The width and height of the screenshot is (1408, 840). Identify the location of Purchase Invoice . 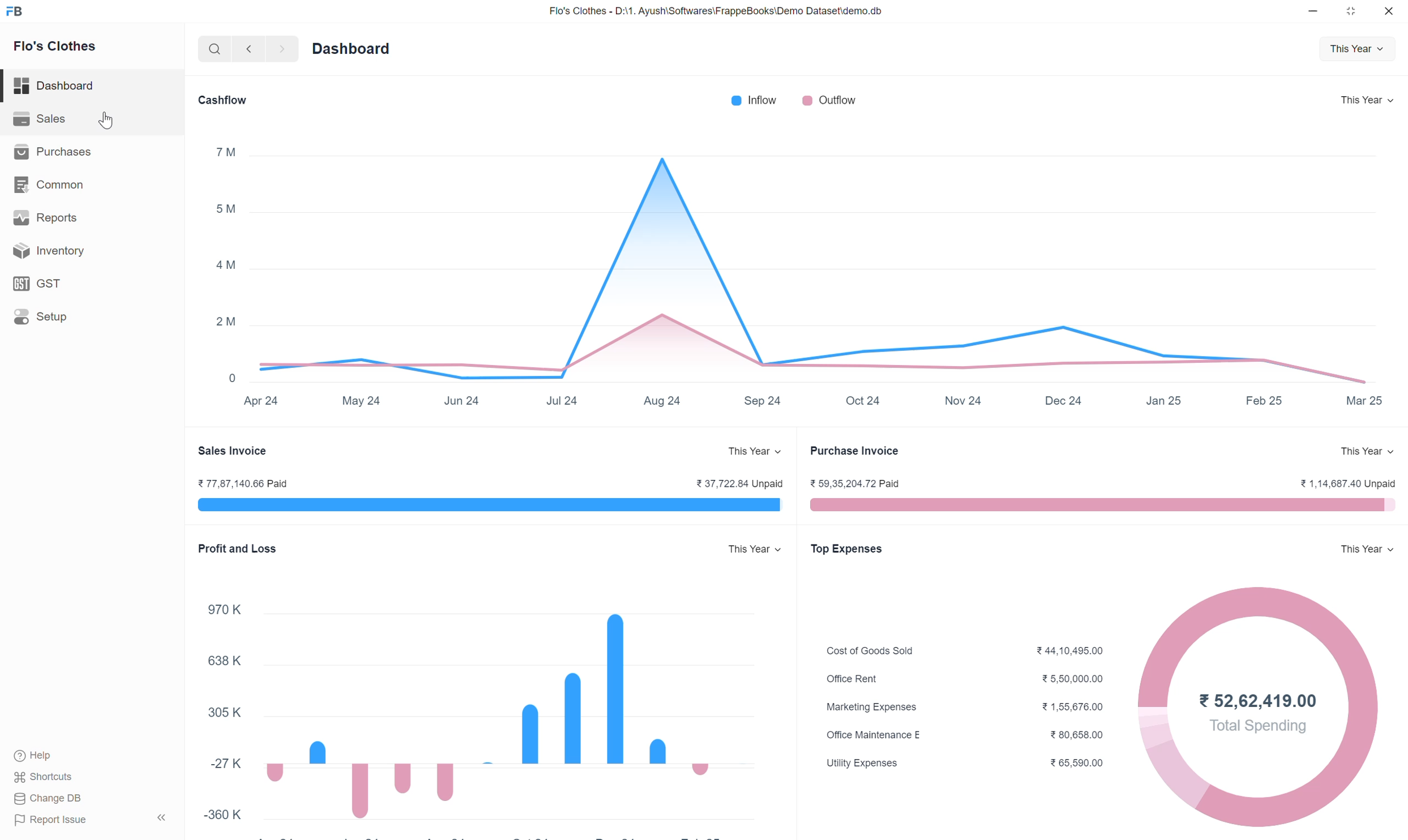
(855, 451).